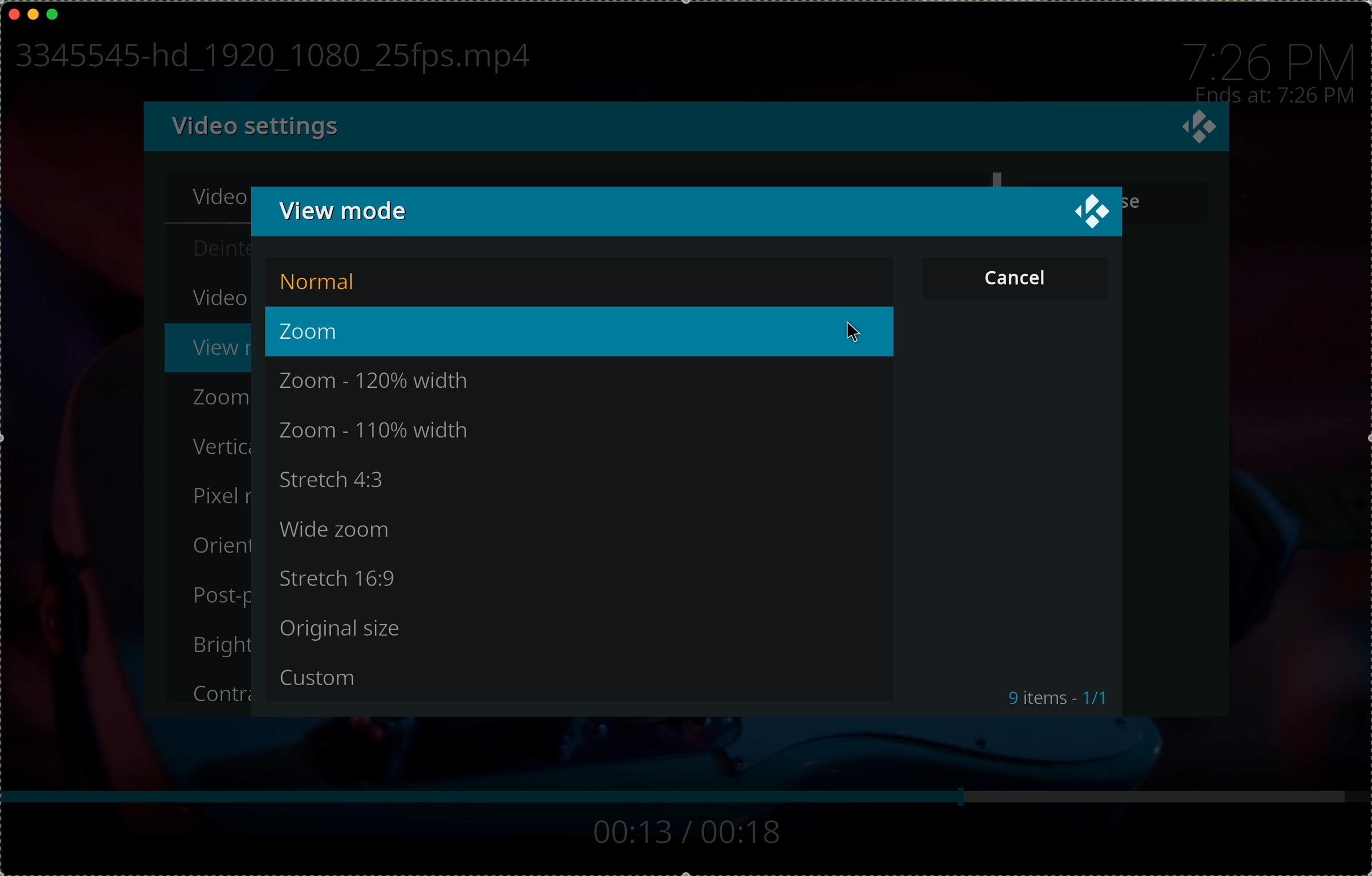  I want to click on close, so click(1093, 211).